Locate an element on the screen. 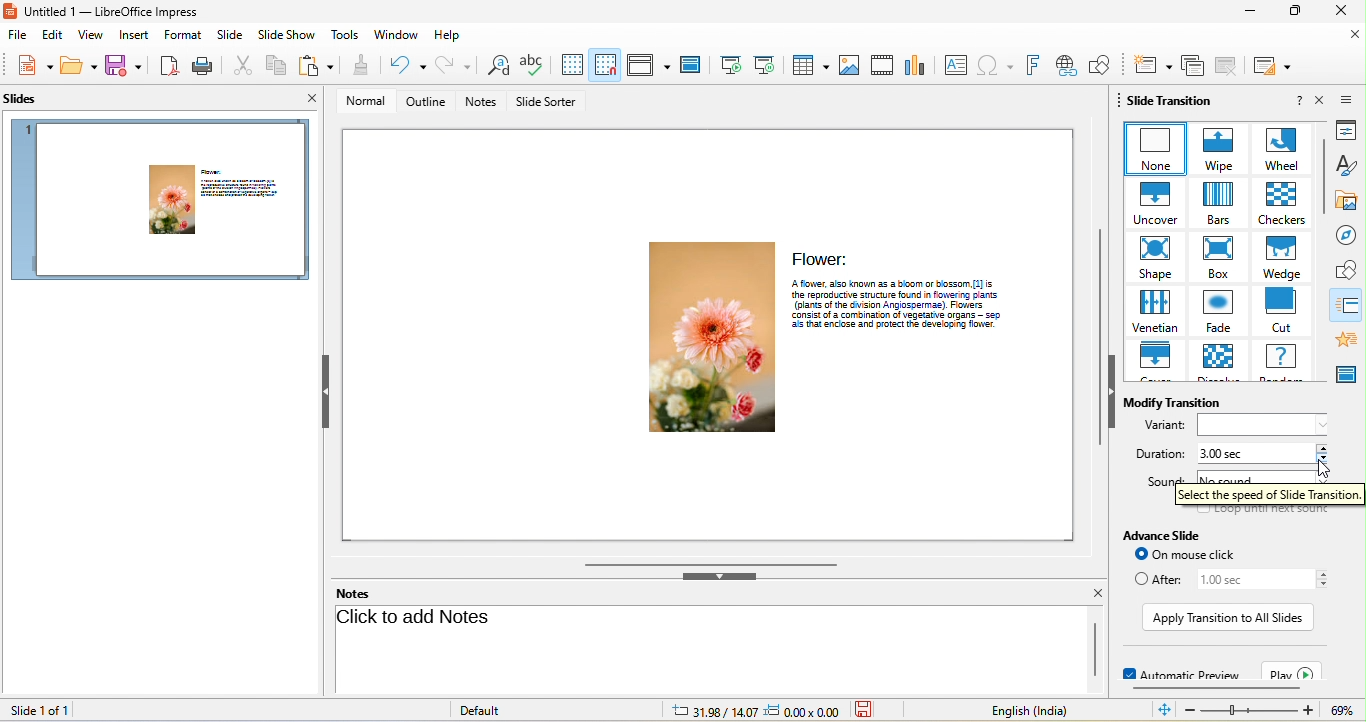  close is located at coordinates (1354, 37).